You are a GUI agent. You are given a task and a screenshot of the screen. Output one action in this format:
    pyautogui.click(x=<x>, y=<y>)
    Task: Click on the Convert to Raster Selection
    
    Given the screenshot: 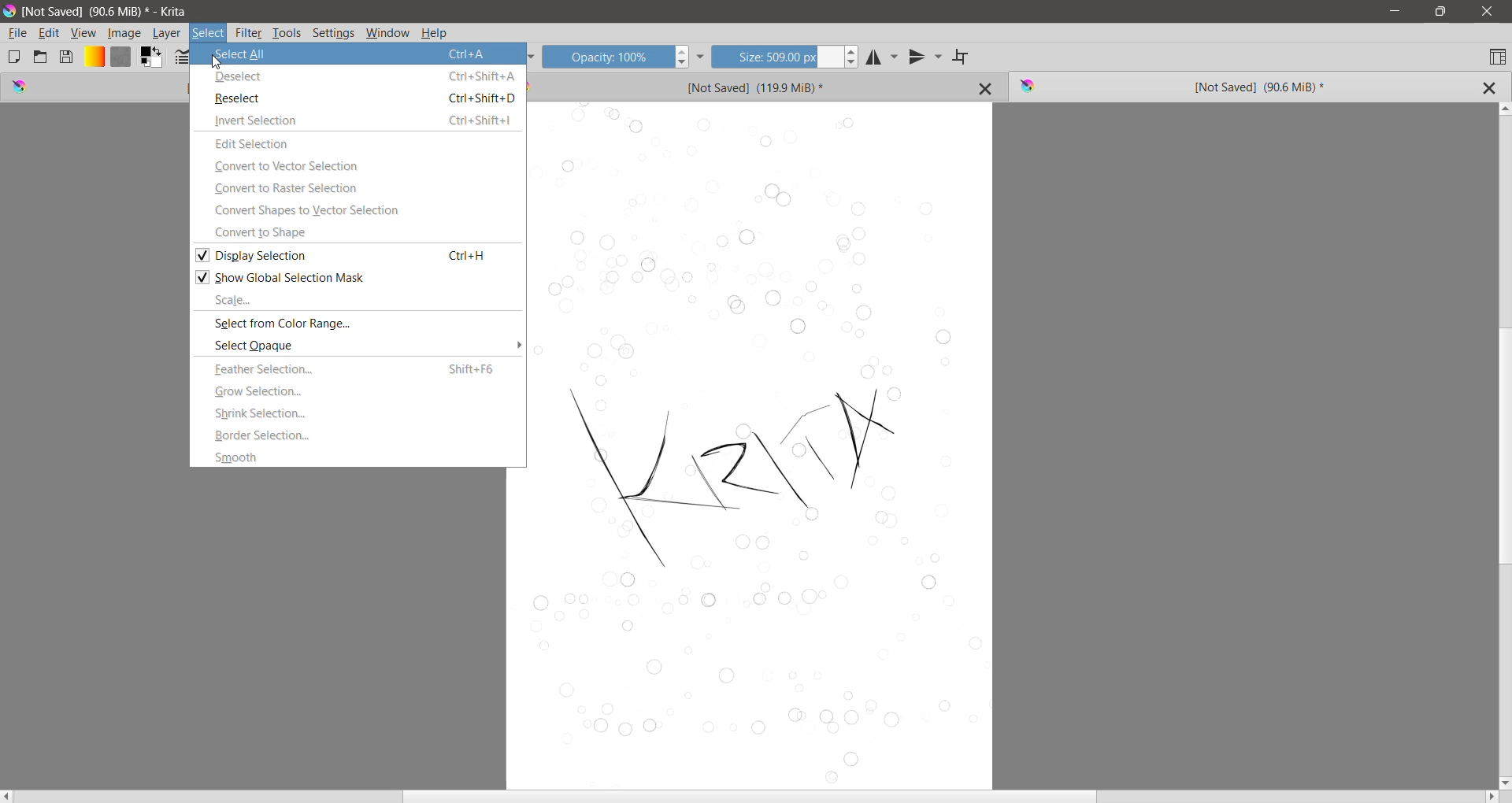 What is the action you would take?
    pyautogui.click(x=357, y=187)
    